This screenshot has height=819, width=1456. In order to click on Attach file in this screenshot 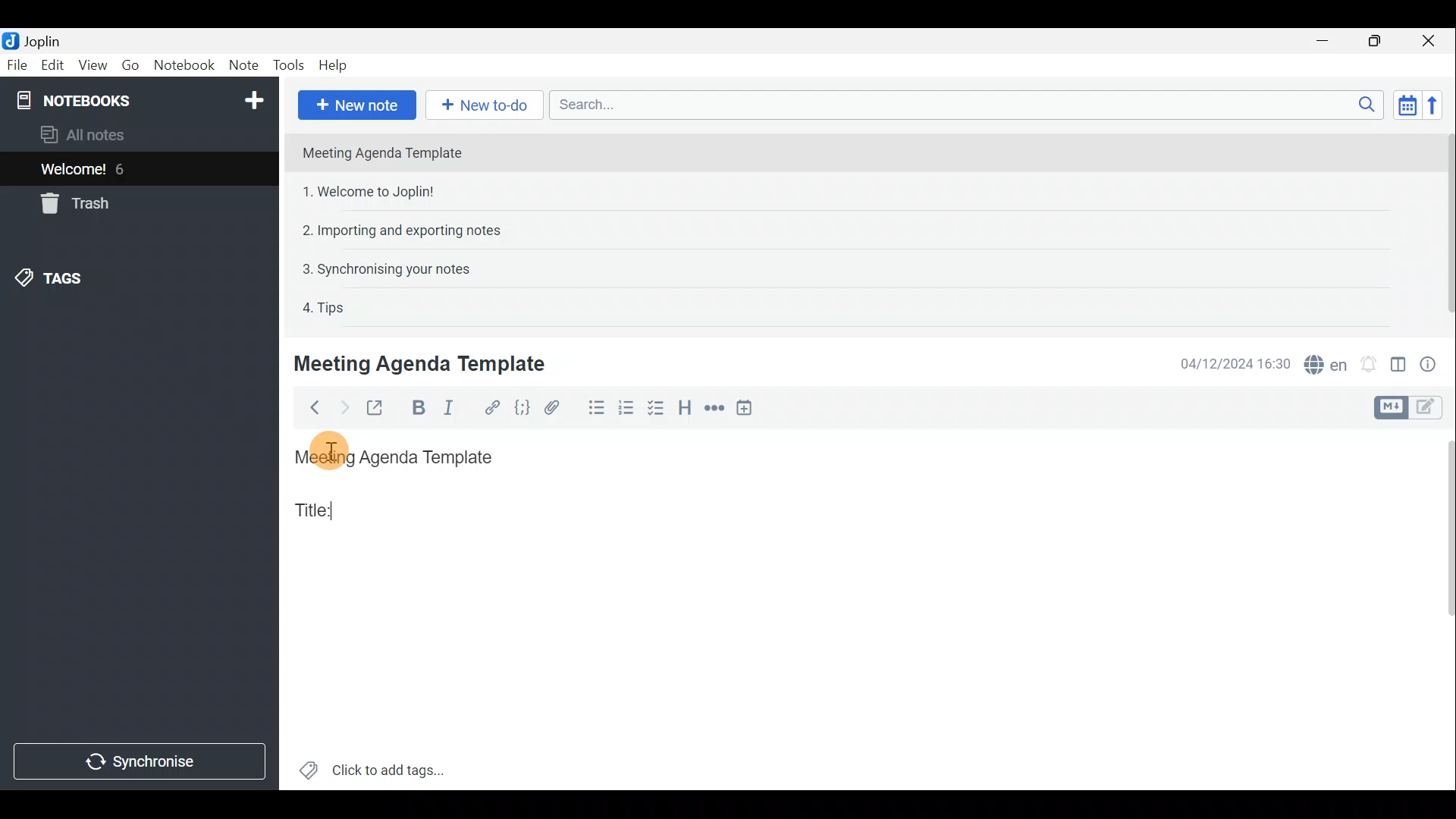, I will do `click(560, 407)`.